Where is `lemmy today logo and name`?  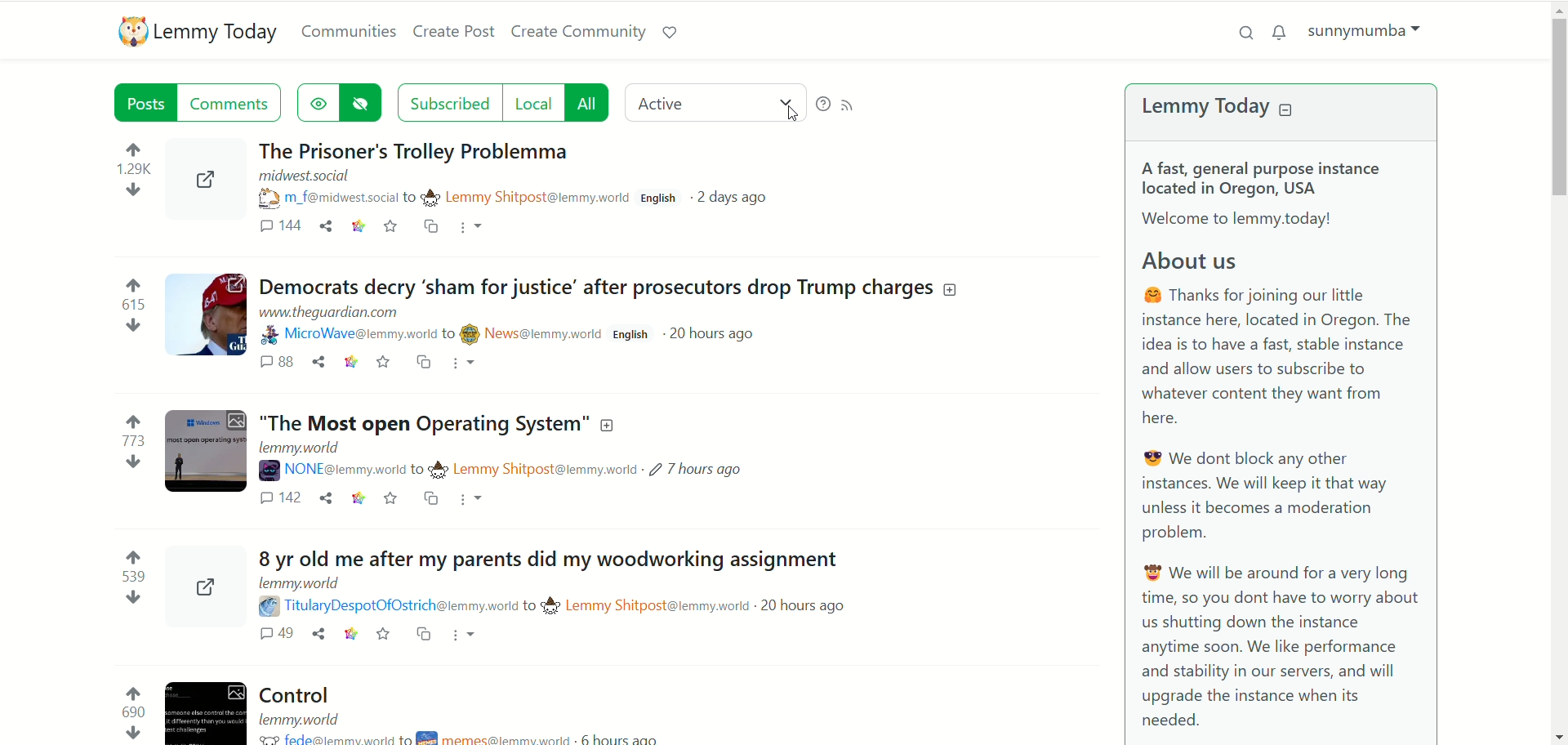 lemmy today logo and name is located at coordinates (195, 32).